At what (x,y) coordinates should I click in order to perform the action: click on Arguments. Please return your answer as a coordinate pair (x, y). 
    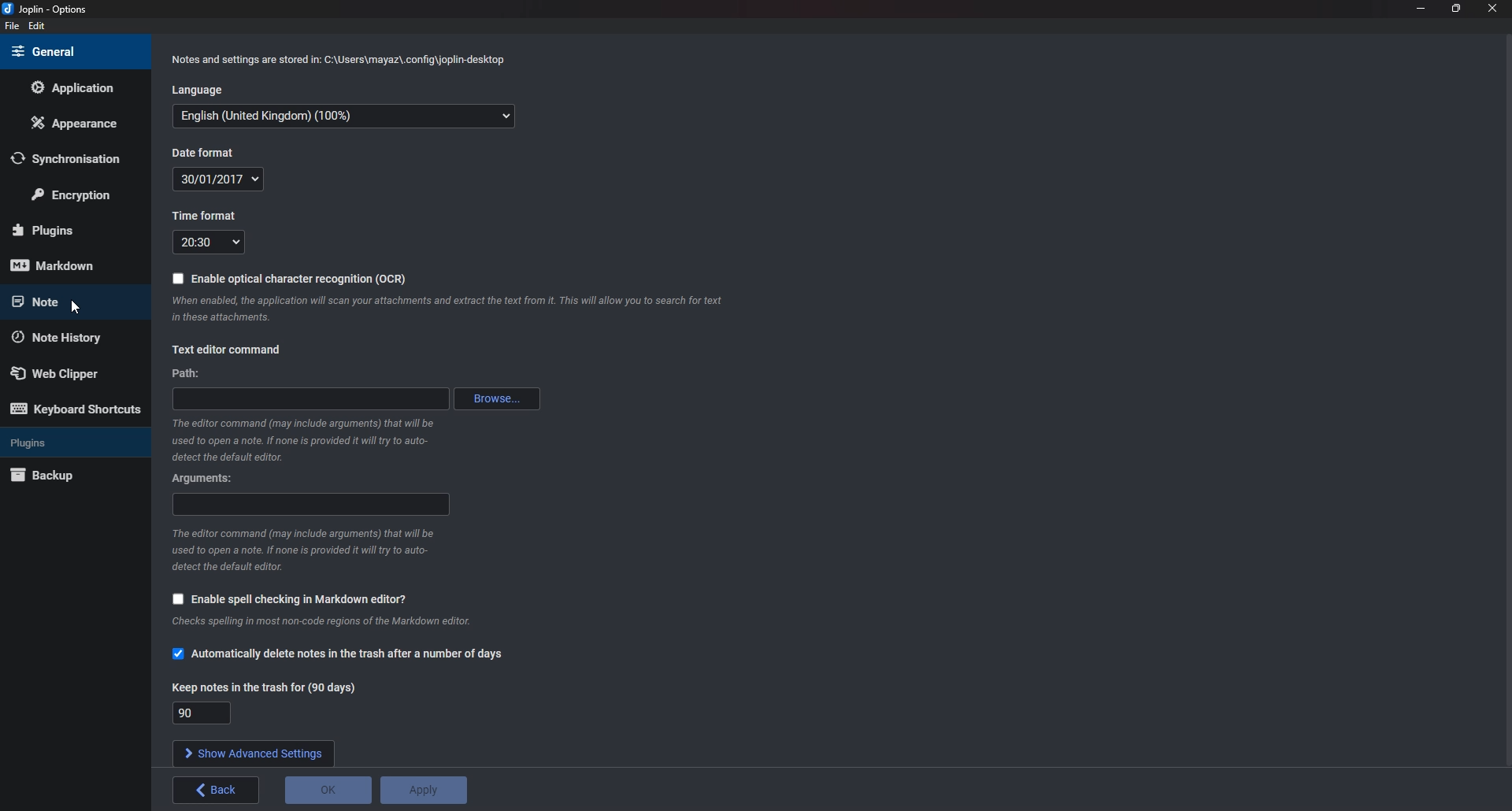
    Looking at the image, I should click on (312, 503).